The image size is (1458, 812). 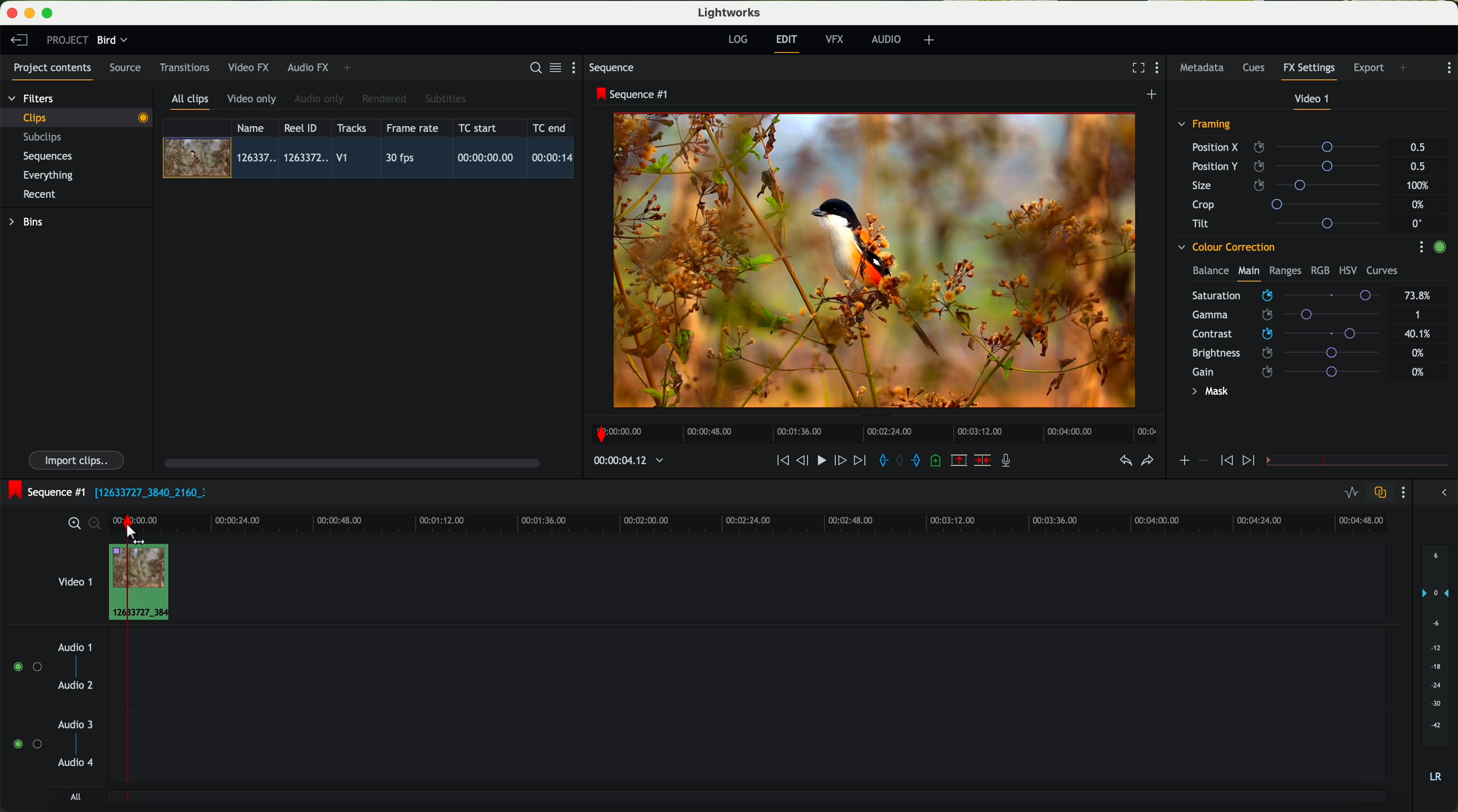 I want to click on drag video to video track 1, so click(x=144, y=583).